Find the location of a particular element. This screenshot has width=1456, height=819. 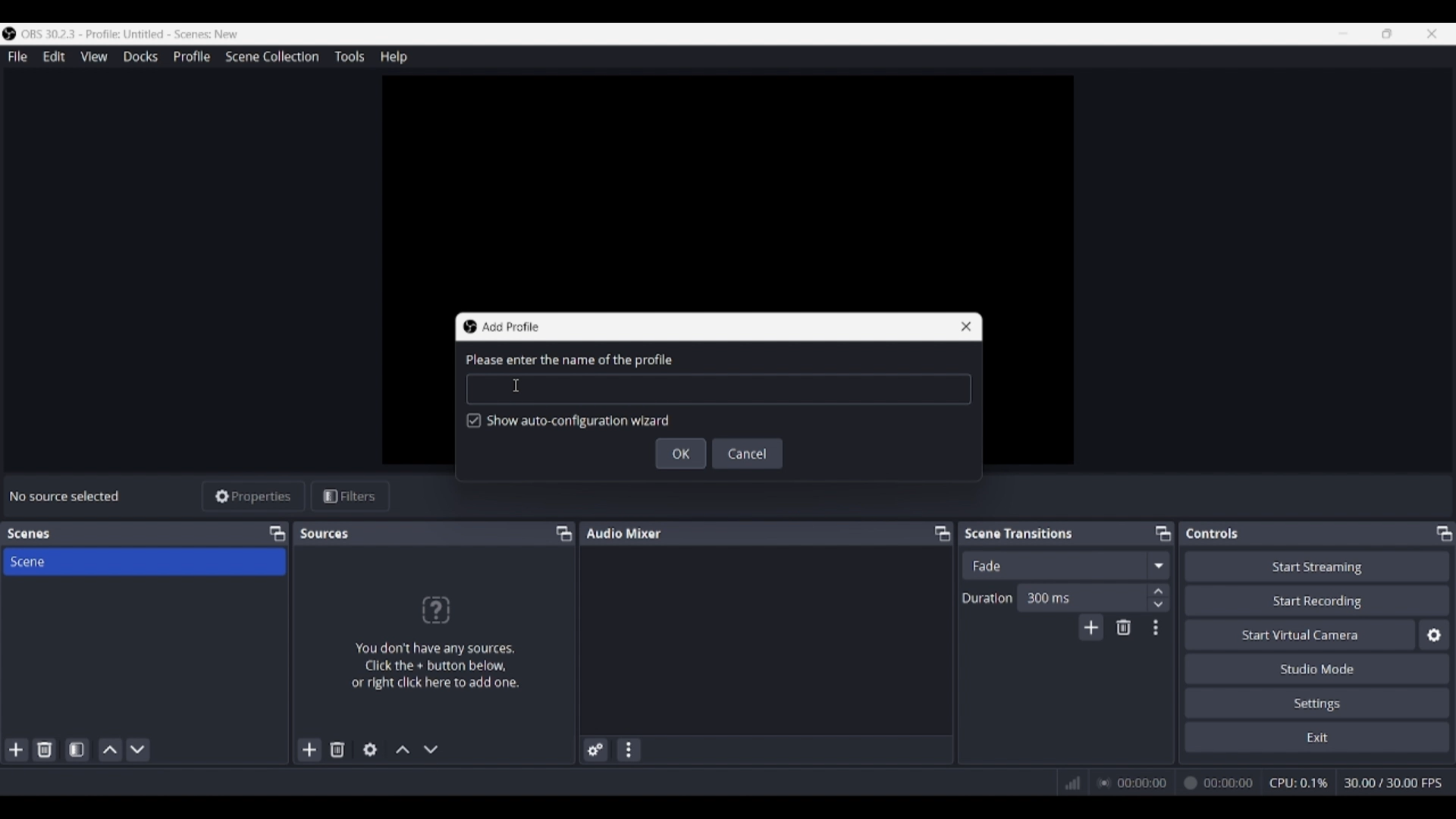

Edit menu is located at coordinates (53, 57).